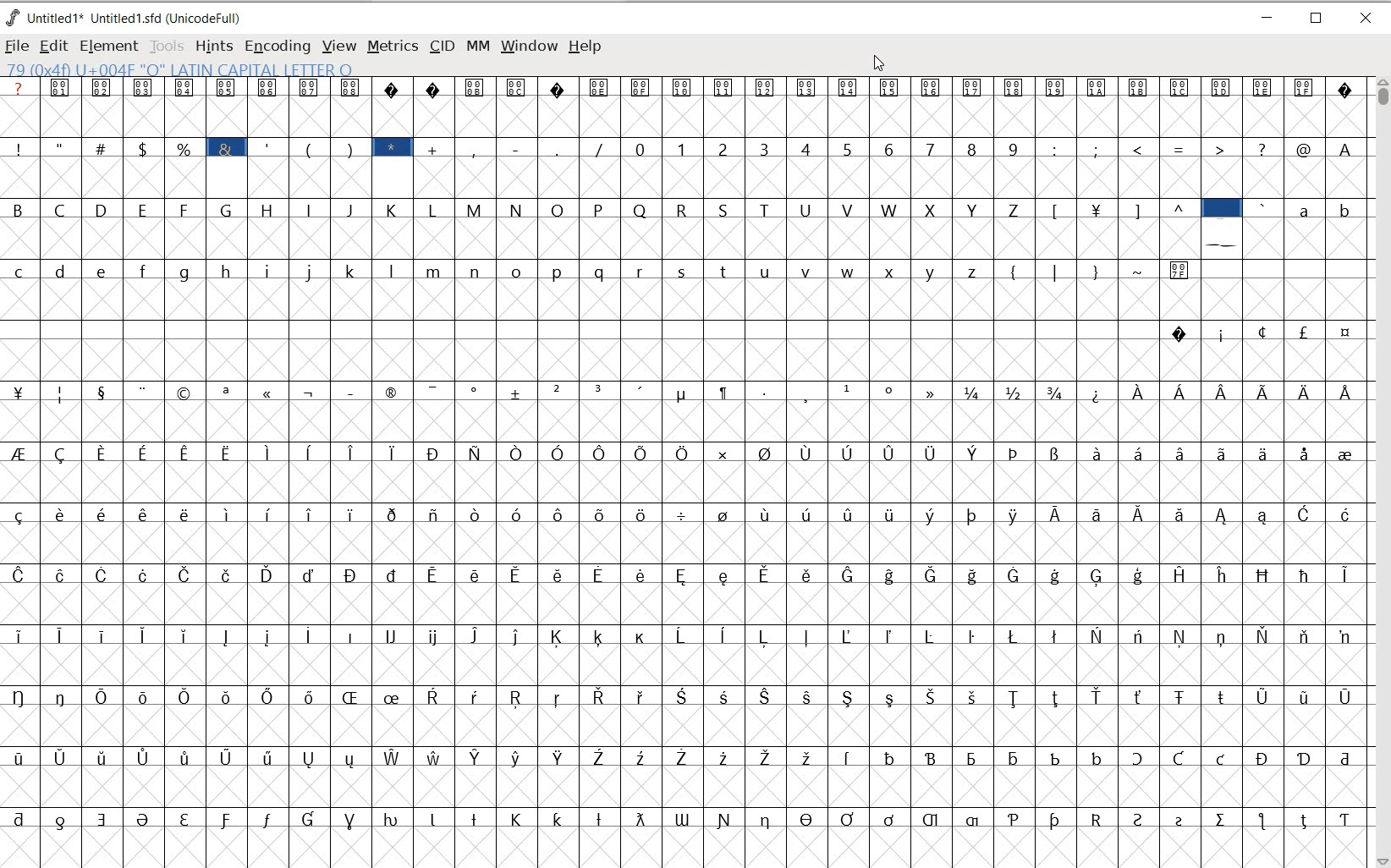 This screenshot has height=868, width=1391. Describe the element at coordinates (1381, 472) in the screenshot. I see `SCROLLBAR` at that location.